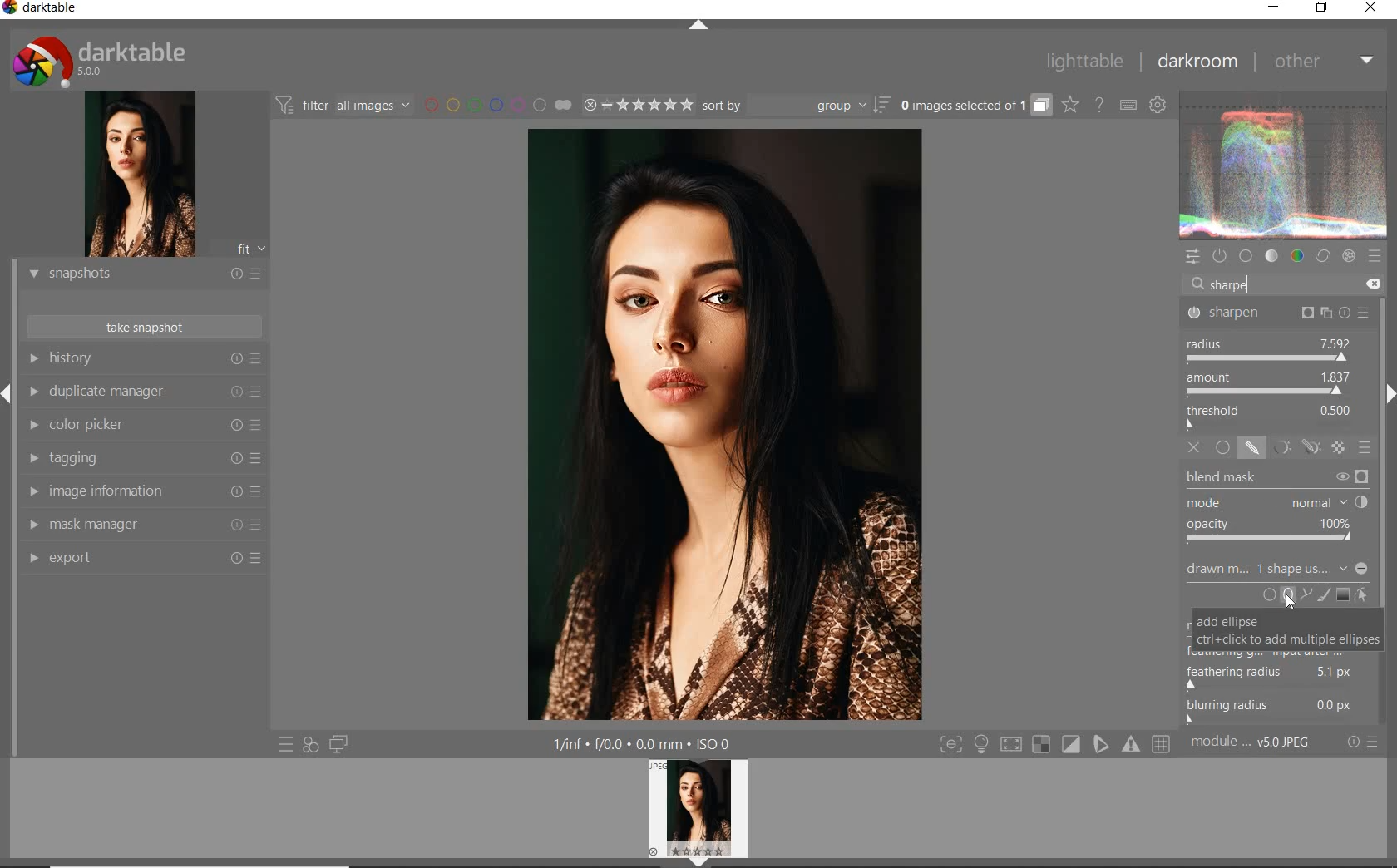 The image size is (1397, 868). What do you see at coordinates (146, 326) in the screenshot?
I see `TAKE SNAPSHOTS` at bounding box center [146, 326].